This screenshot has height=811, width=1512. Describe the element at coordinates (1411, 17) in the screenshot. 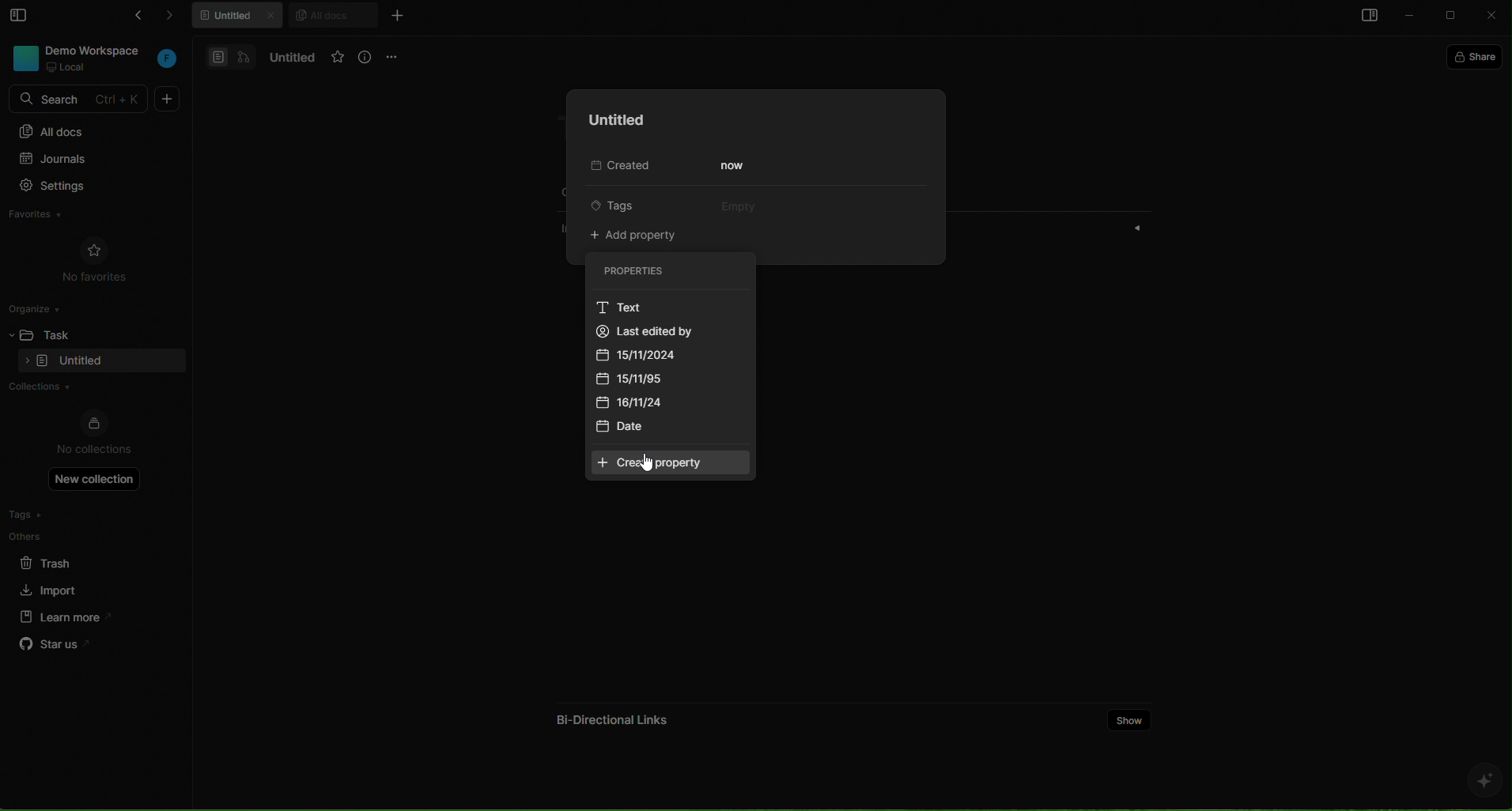

I see `minimize` at that location.